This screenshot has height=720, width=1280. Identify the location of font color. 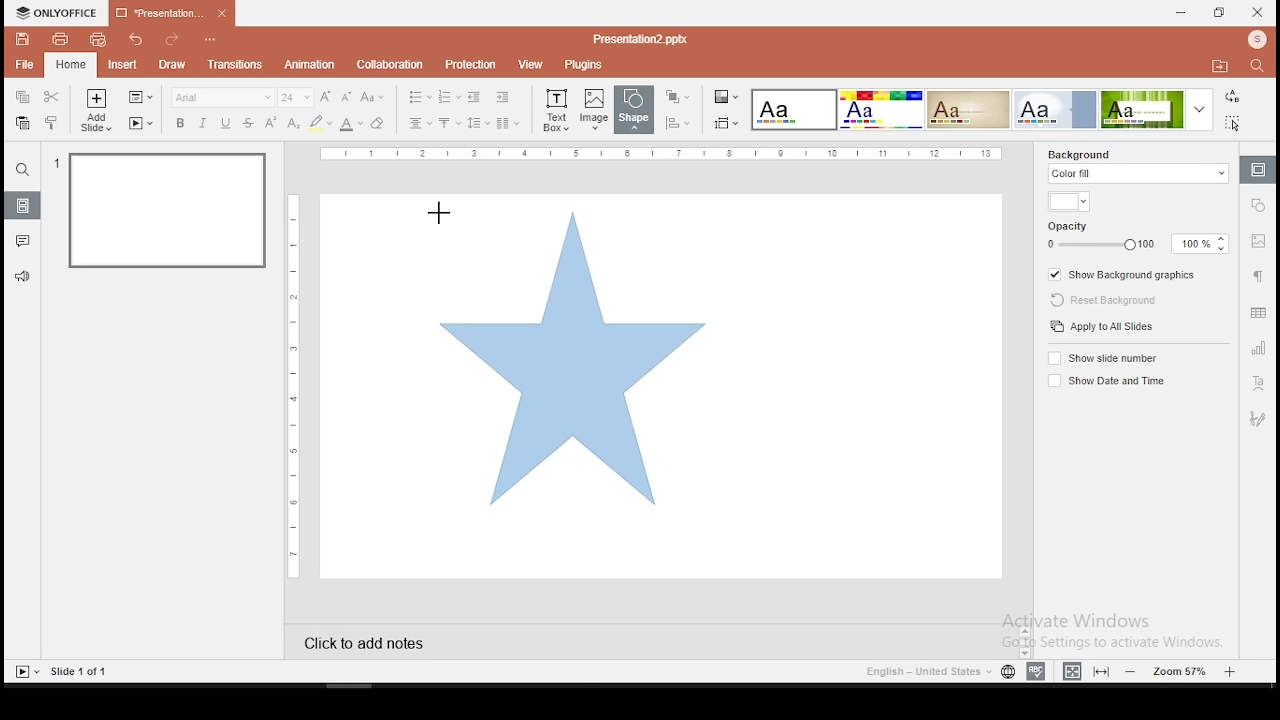
(351, 124).